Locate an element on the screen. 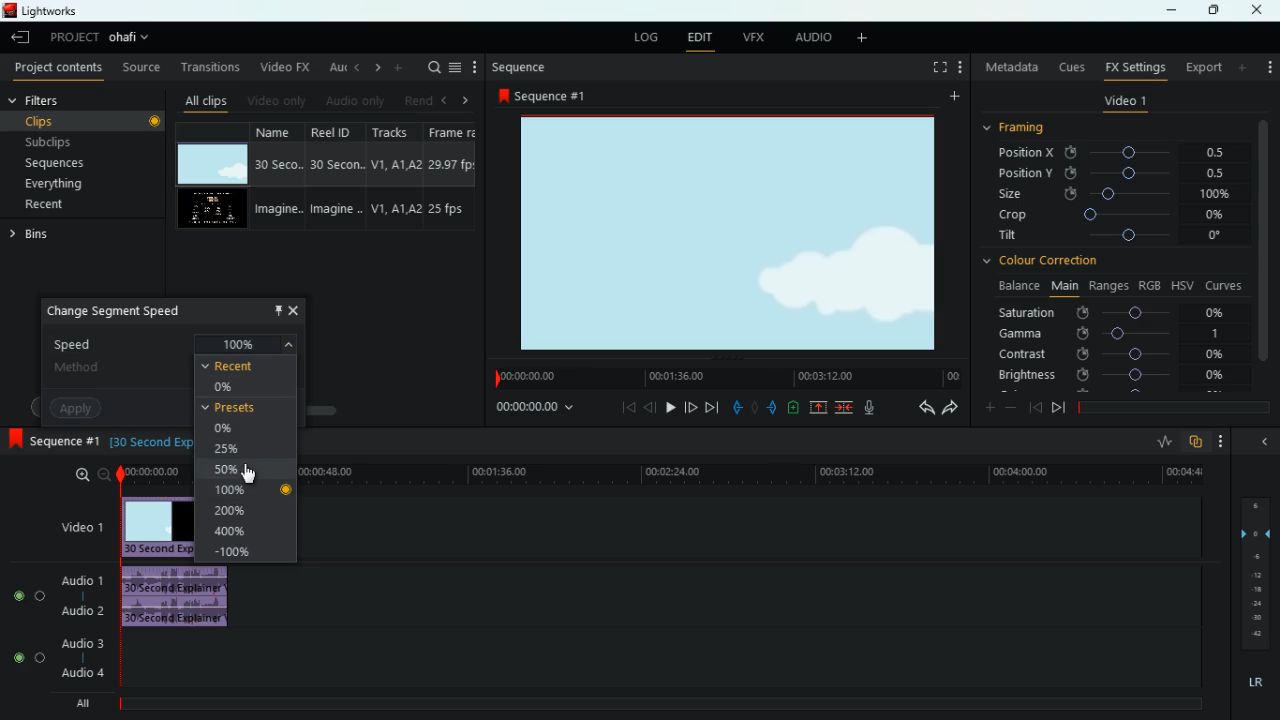 This screenshot has width=1280, height=720. name is located at coordinates (276, 177).